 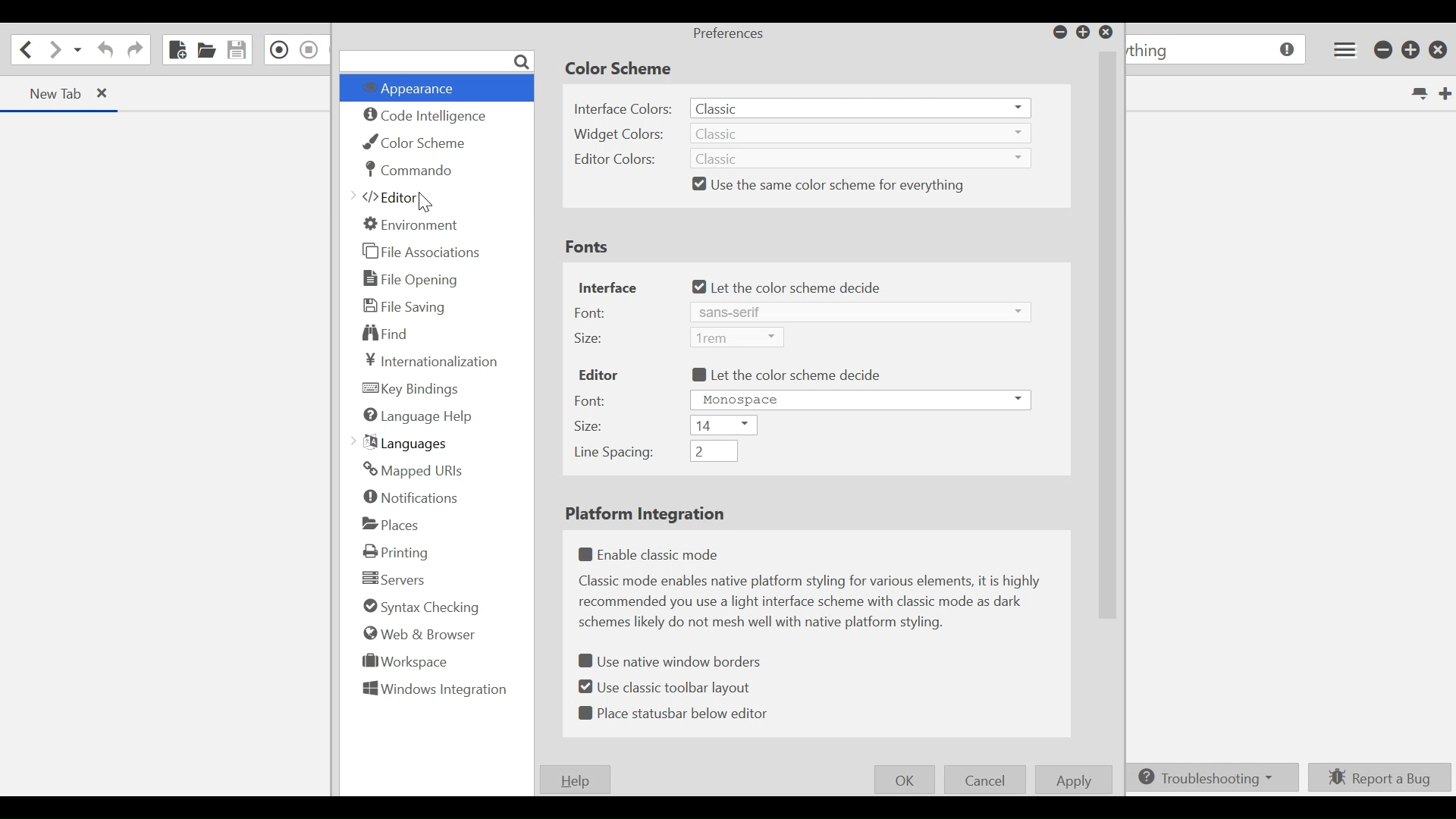 I want to click on Editor, so click(x=598, y=372).